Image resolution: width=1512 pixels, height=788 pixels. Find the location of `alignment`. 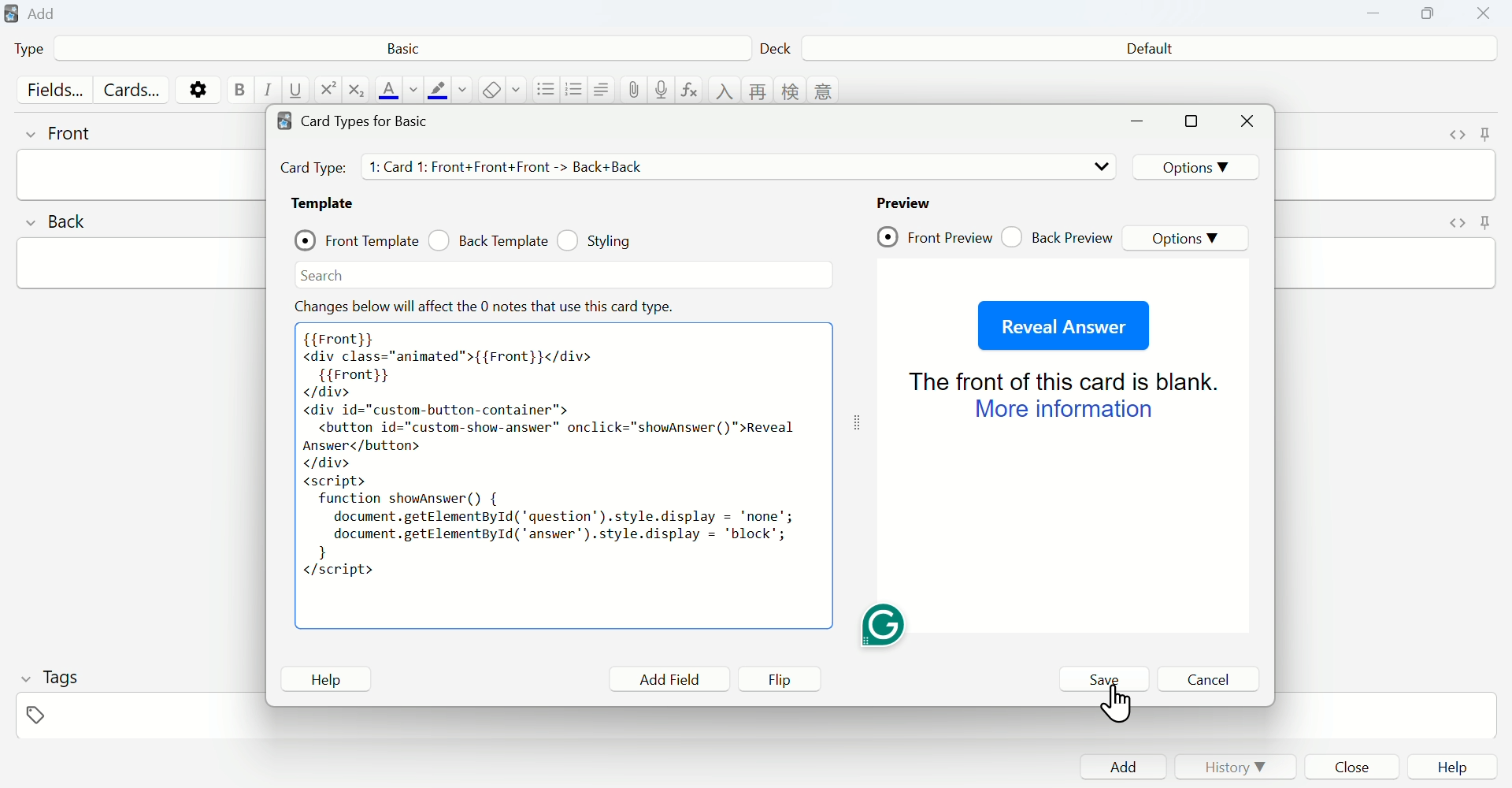

alignment is located at coordinates (602, 90).